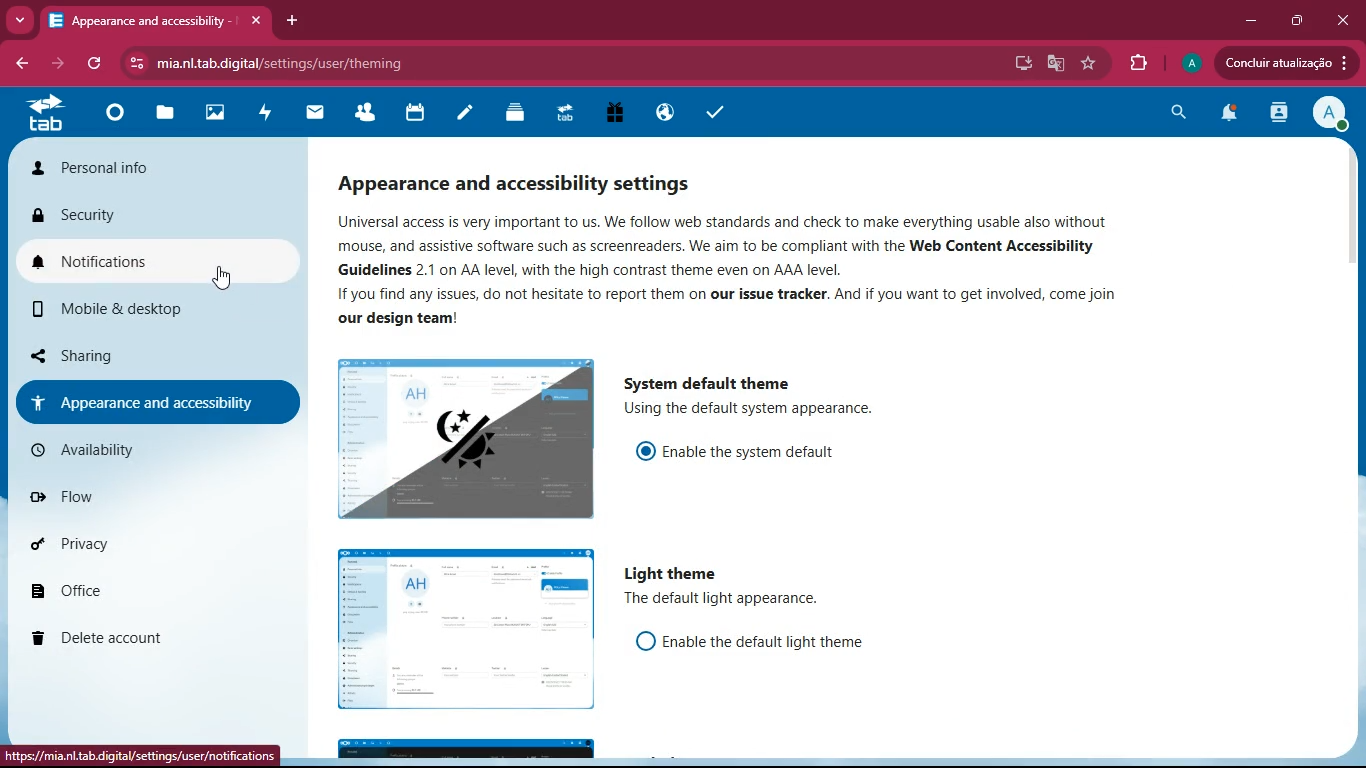 This screenshot has width=1366, height=768. What do you see at coordinates (1252, 20) in the screenshot?
I see `minimize` at bounding box center [1252, 20].